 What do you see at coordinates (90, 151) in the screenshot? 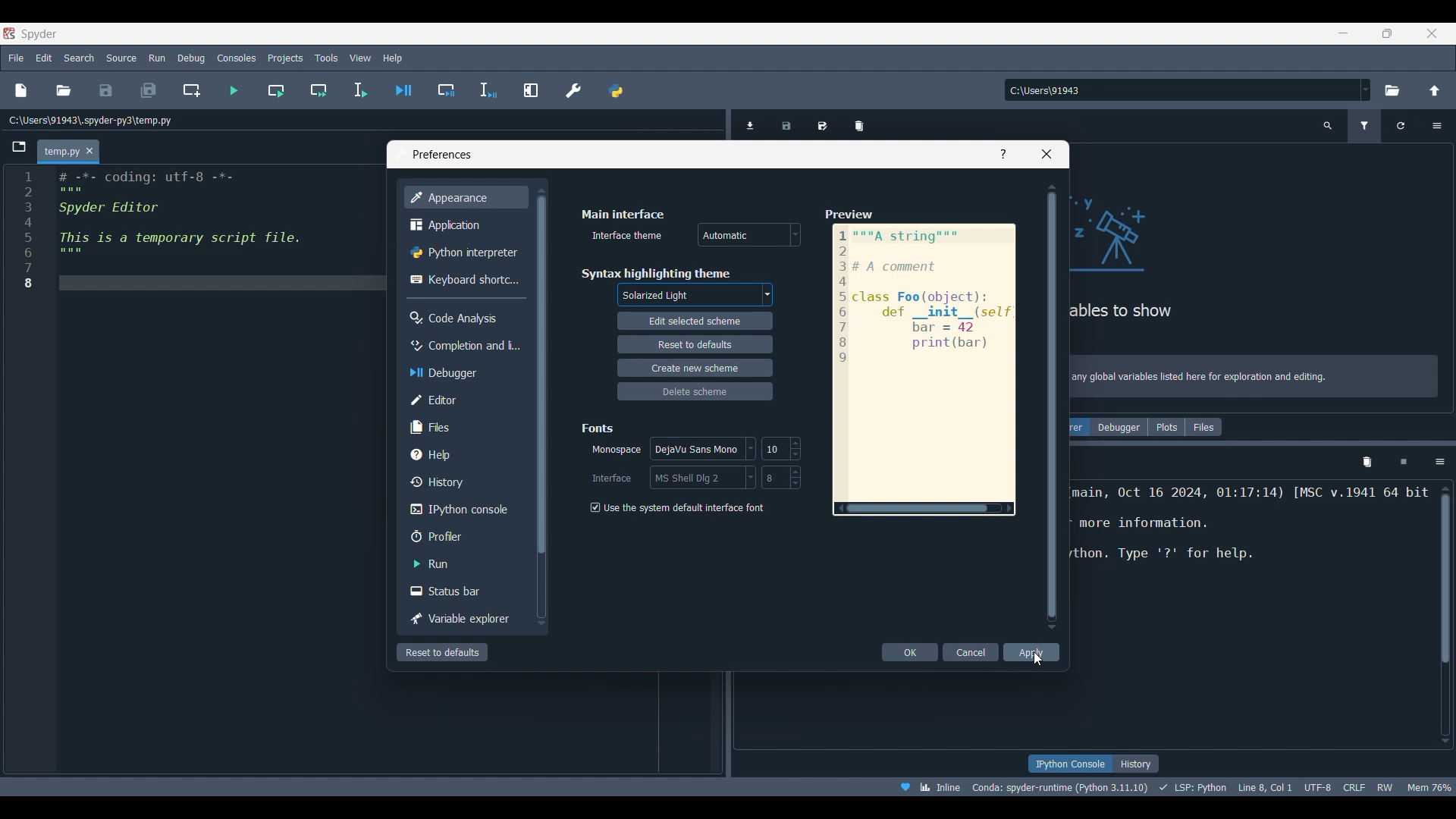
I see `Close` at bounding box center [90, 151].